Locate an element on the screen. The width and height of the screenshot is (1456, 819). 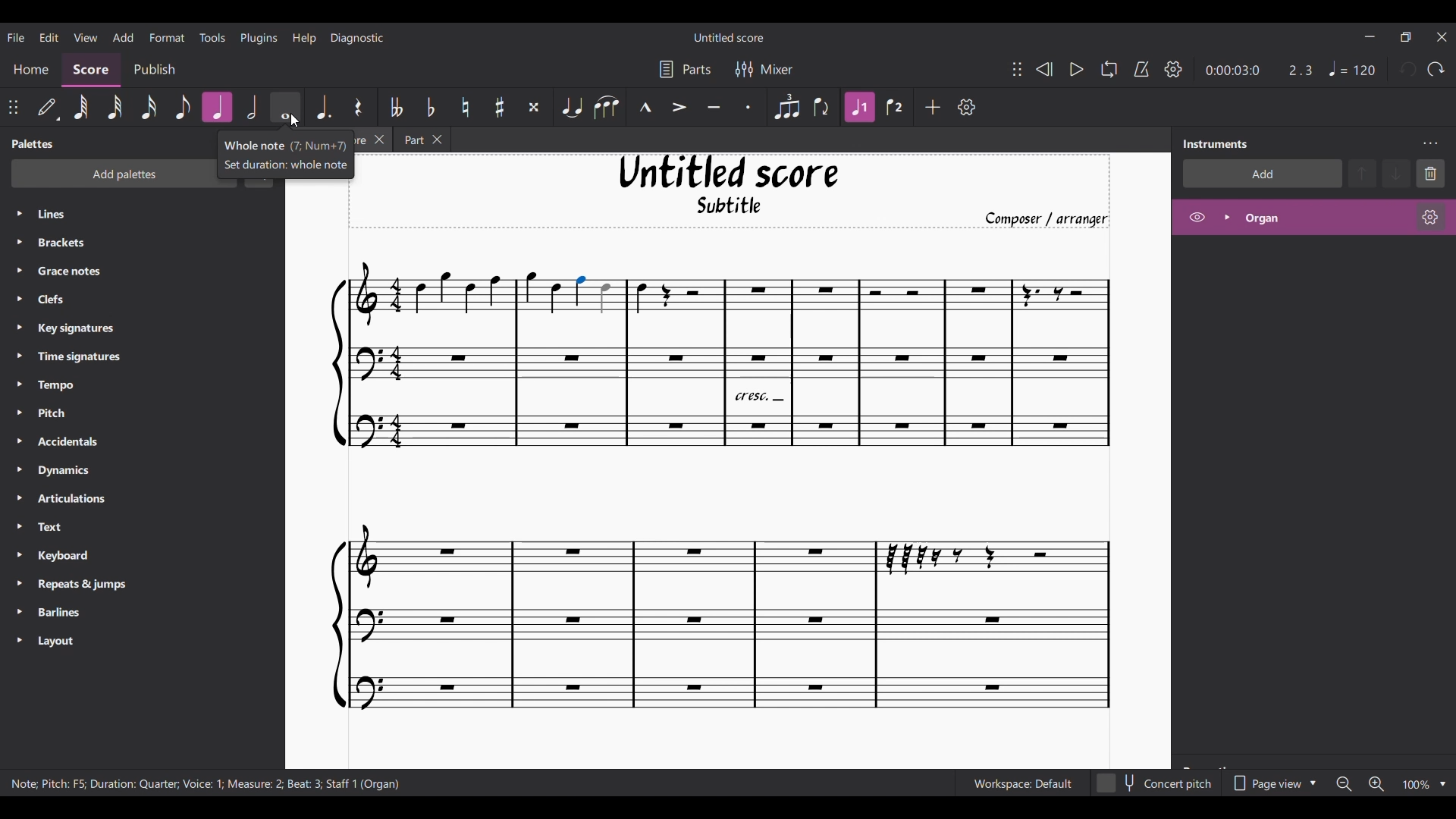
List of Palettes is located at coordinates (156, 428).